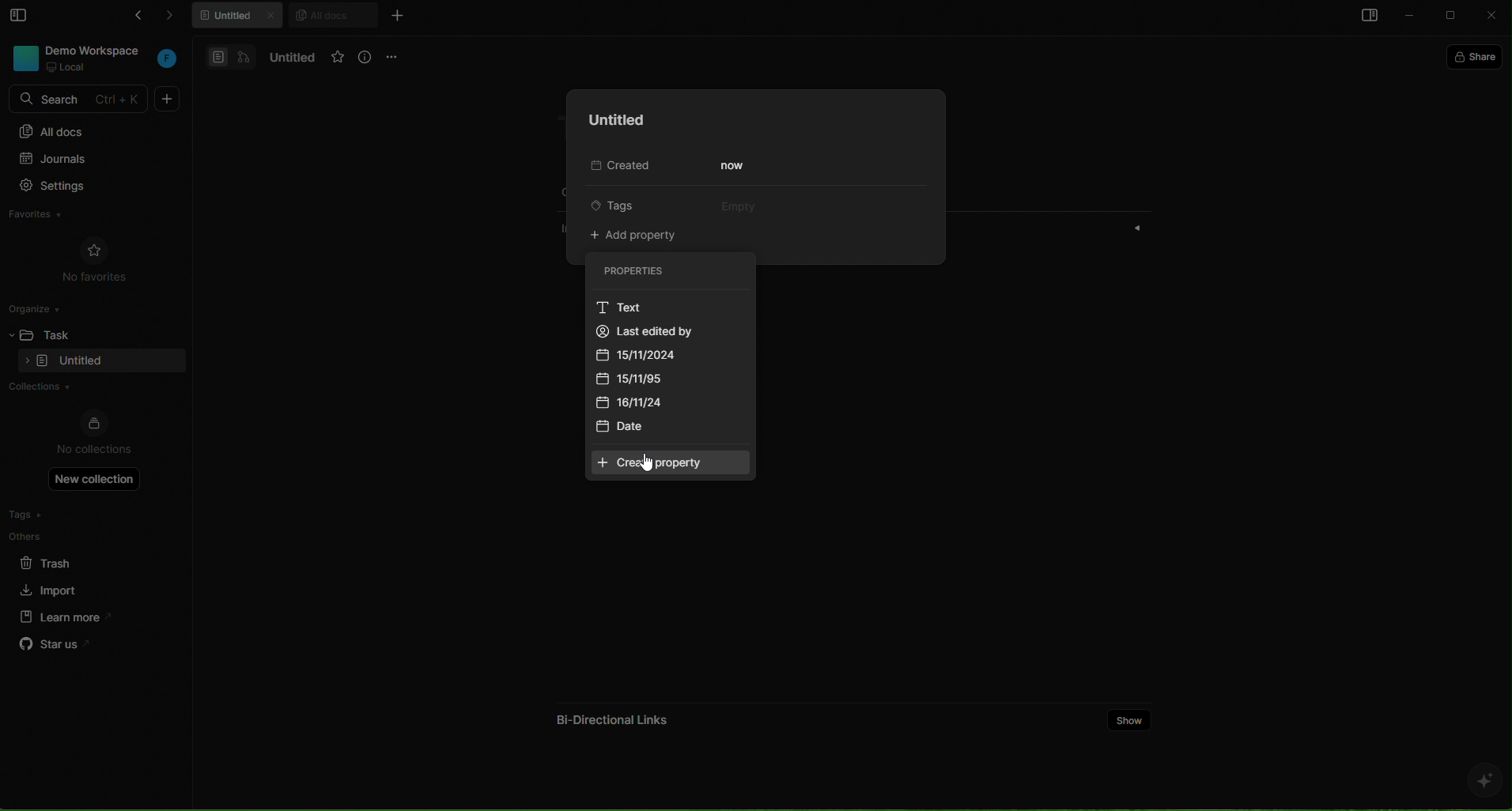 The height and width of the screenshot is (811, 1512). I want to click on local, so click(68, 67).